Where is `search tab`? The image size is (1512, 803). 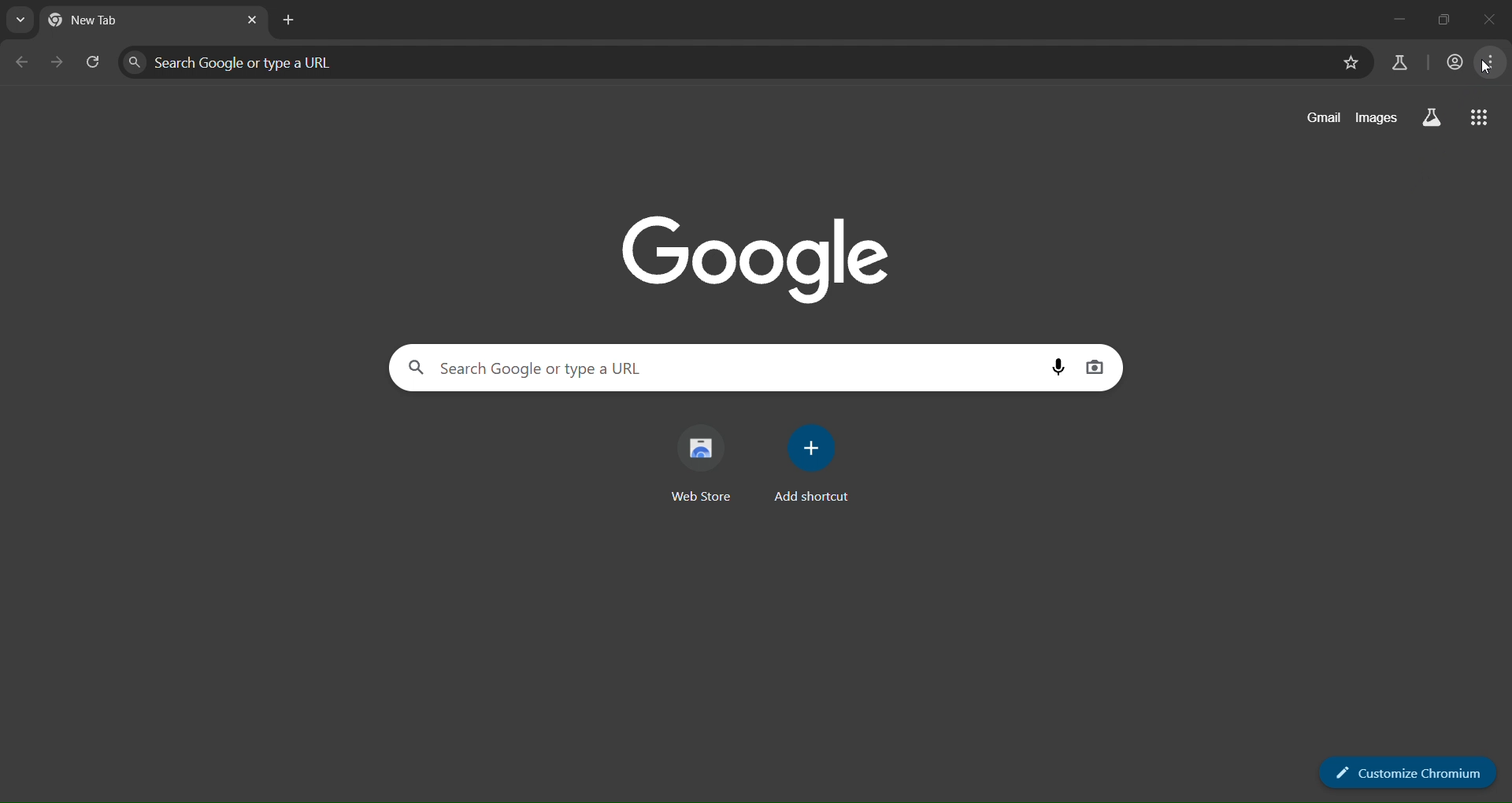 search tab is located at coordinates (17, 18).